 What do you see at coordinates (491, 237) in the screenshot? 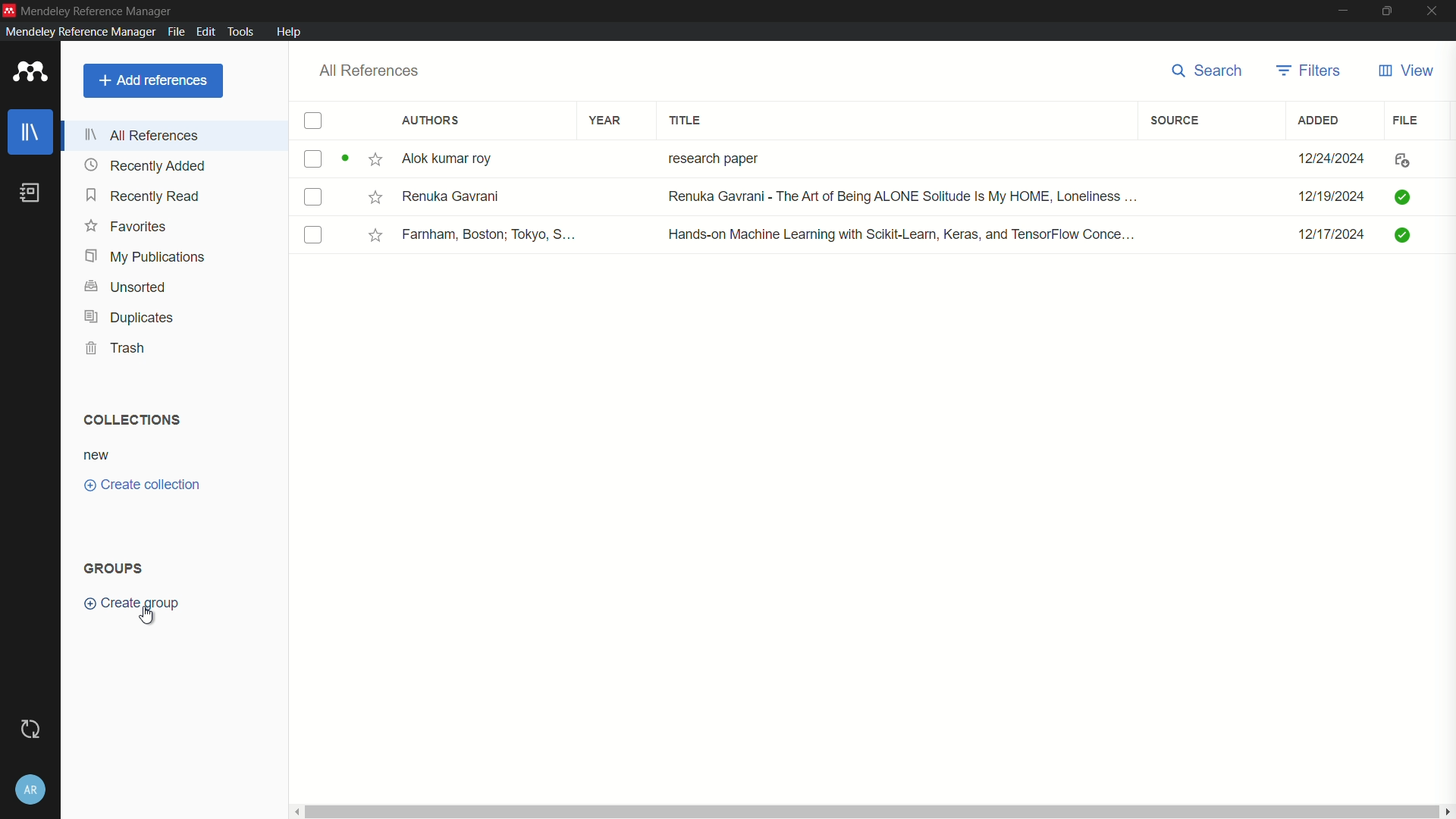
I see `Famhan, Boston` at bounding box center [491, 237].